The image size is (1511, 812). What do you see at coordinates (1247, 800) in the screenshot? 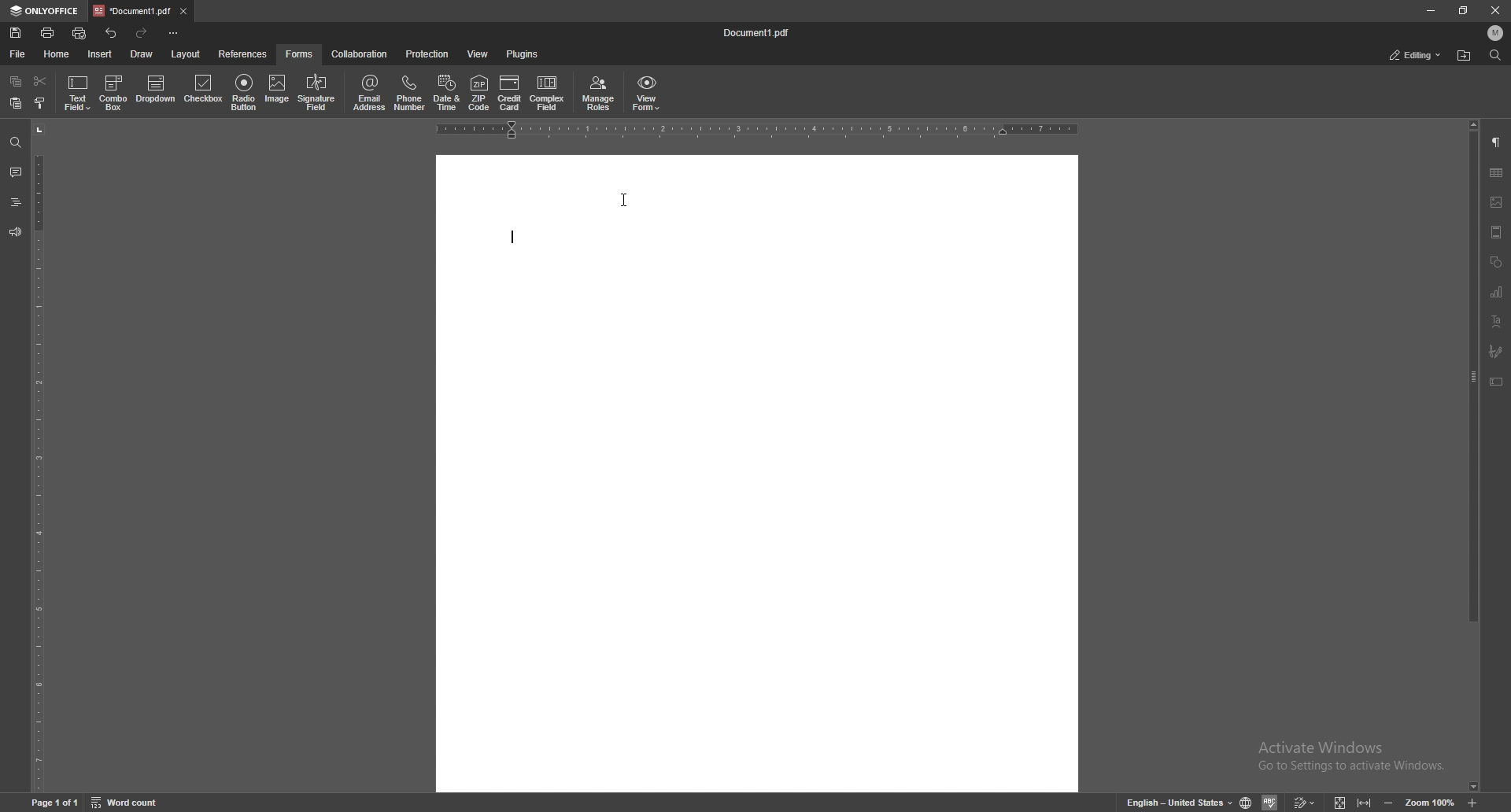
I see `change doc language` at bounding box center [1247, 800].